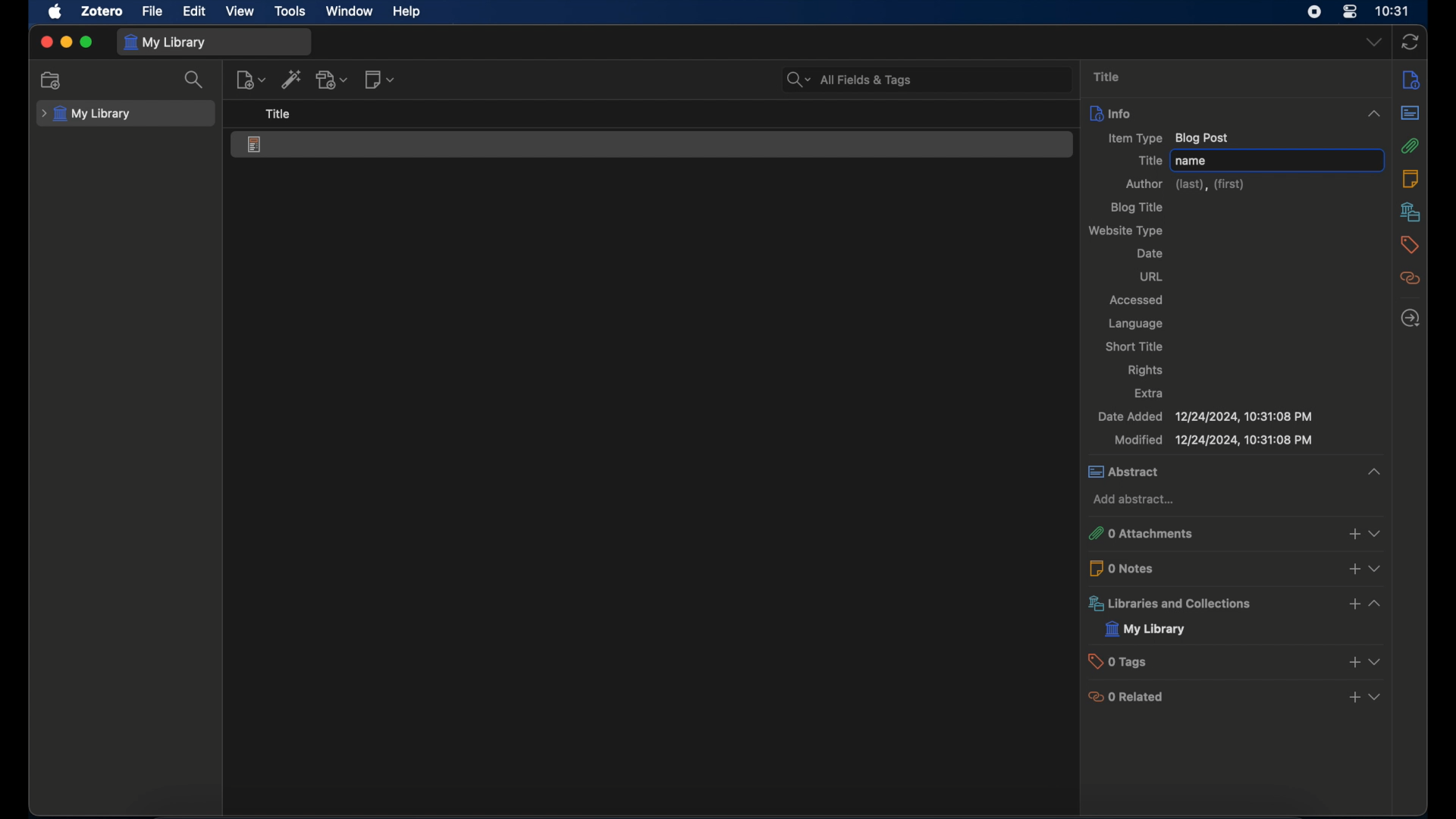 The width and height of the screenshot is (1456, 819). What do you see at coordinates (1410, 177) in the screenshot?
I see `notes` at bounding box center [1410, 177].